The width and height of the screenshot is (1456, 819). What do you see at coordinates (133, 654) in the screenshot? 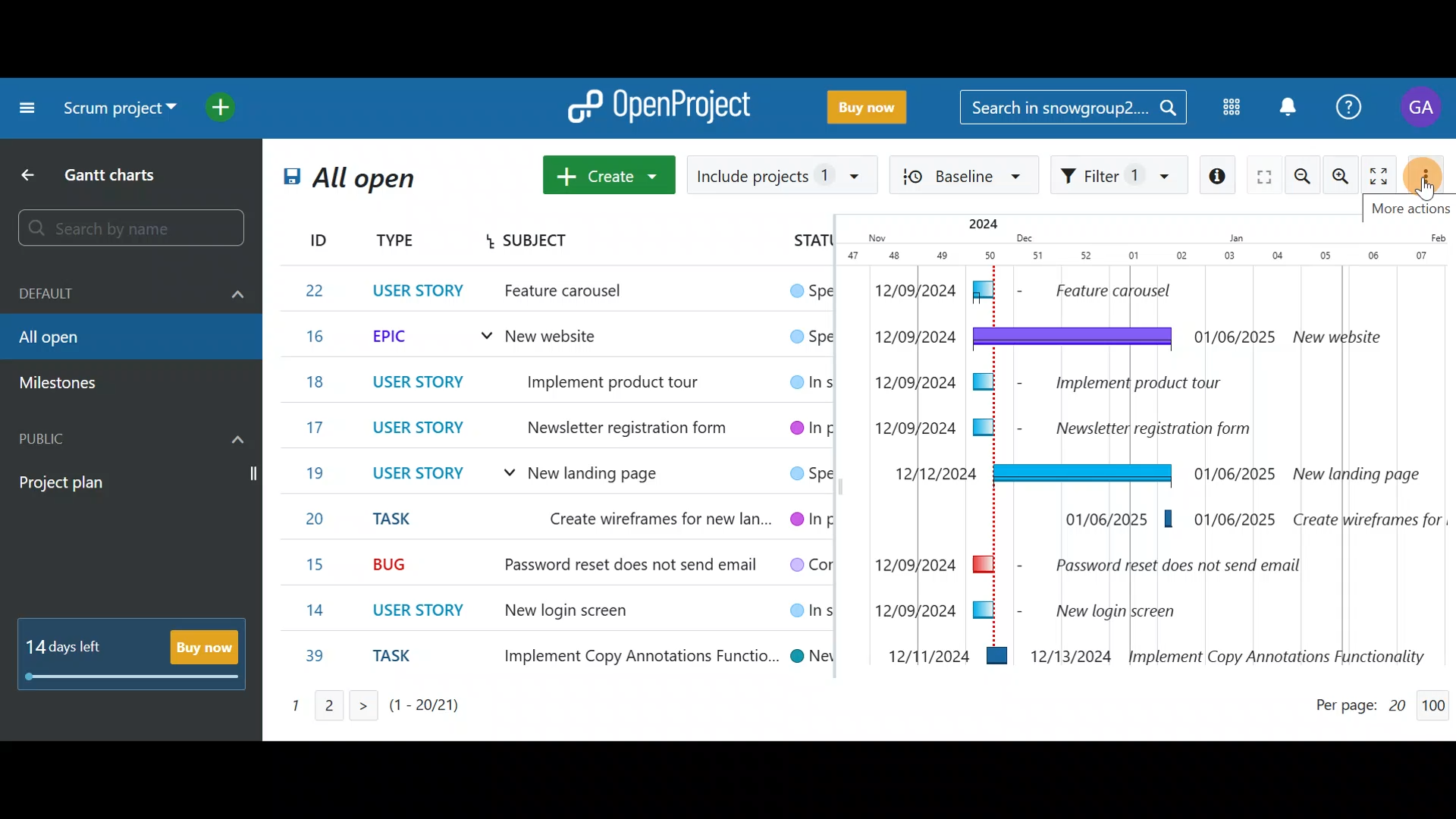
I see `14 days left - Buy now` at bounding box center [133, 654].